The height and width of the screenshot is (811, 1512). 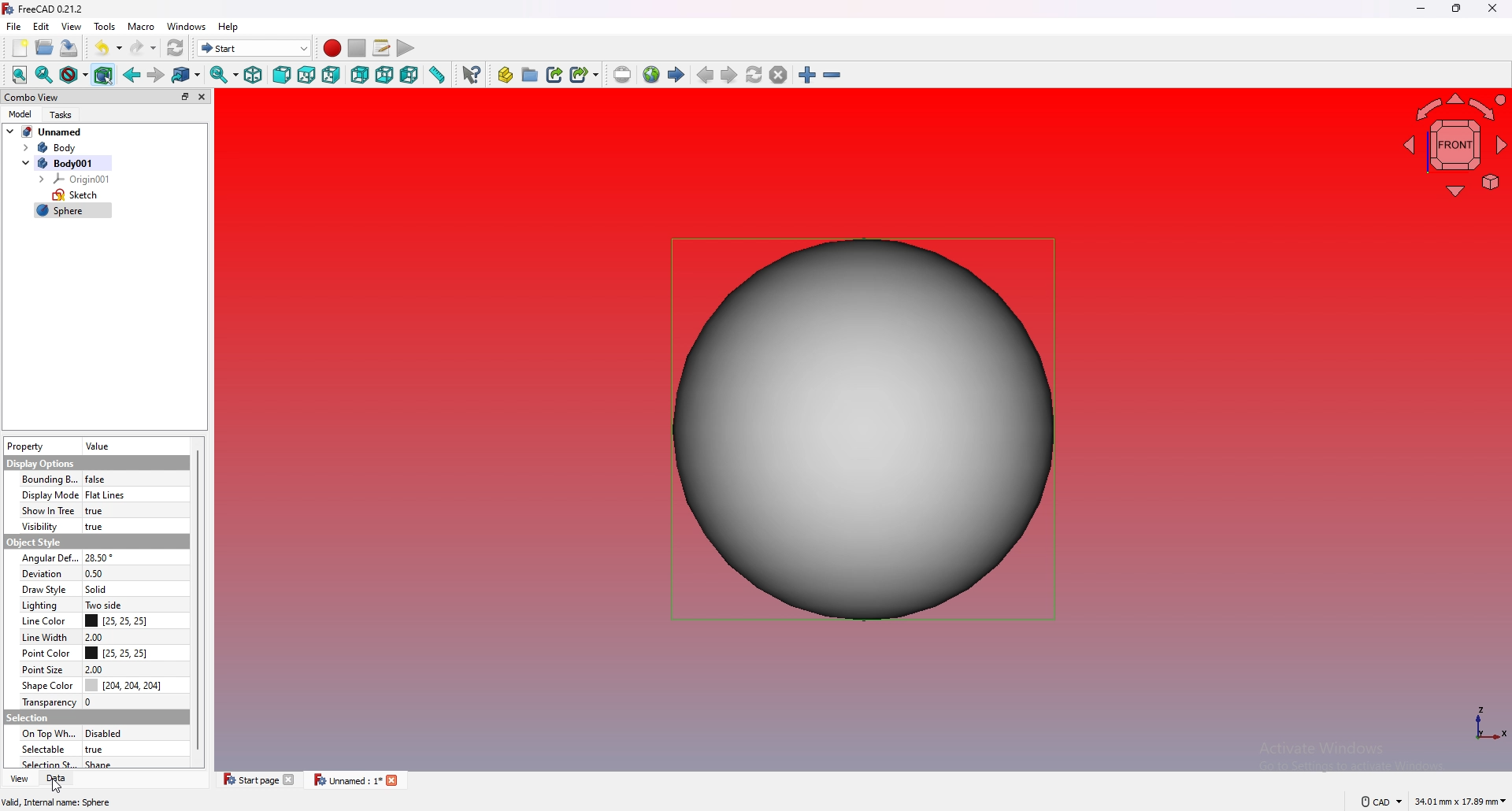 What do you see at coordinates (706, 76) in the screenshot?
I see `previous page` at bounding box center [706, 76].